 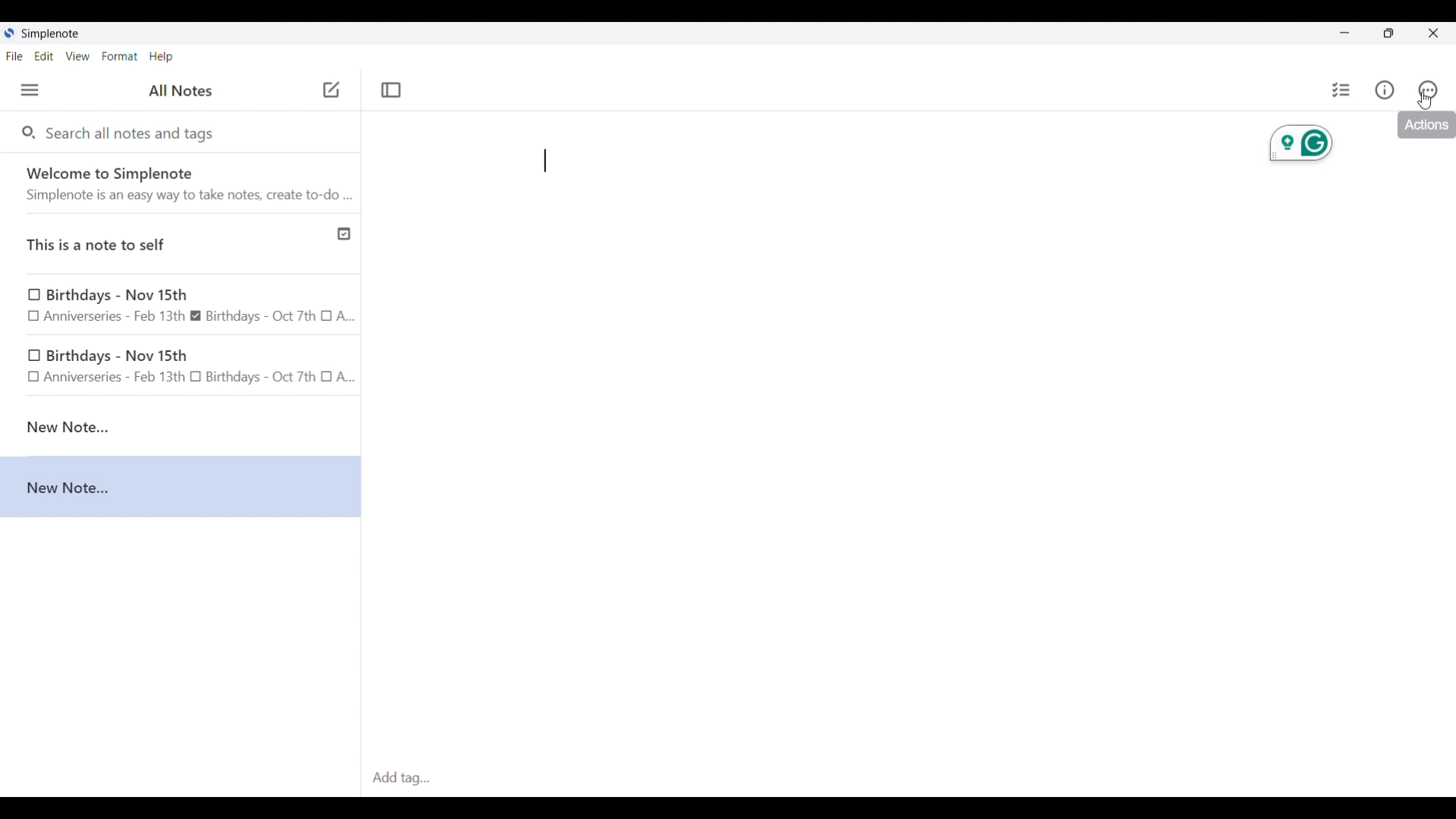 What do you see at coordinates (181, 306) in the screenshot?
I see `Birthday note` at bounding box center [181, 306].